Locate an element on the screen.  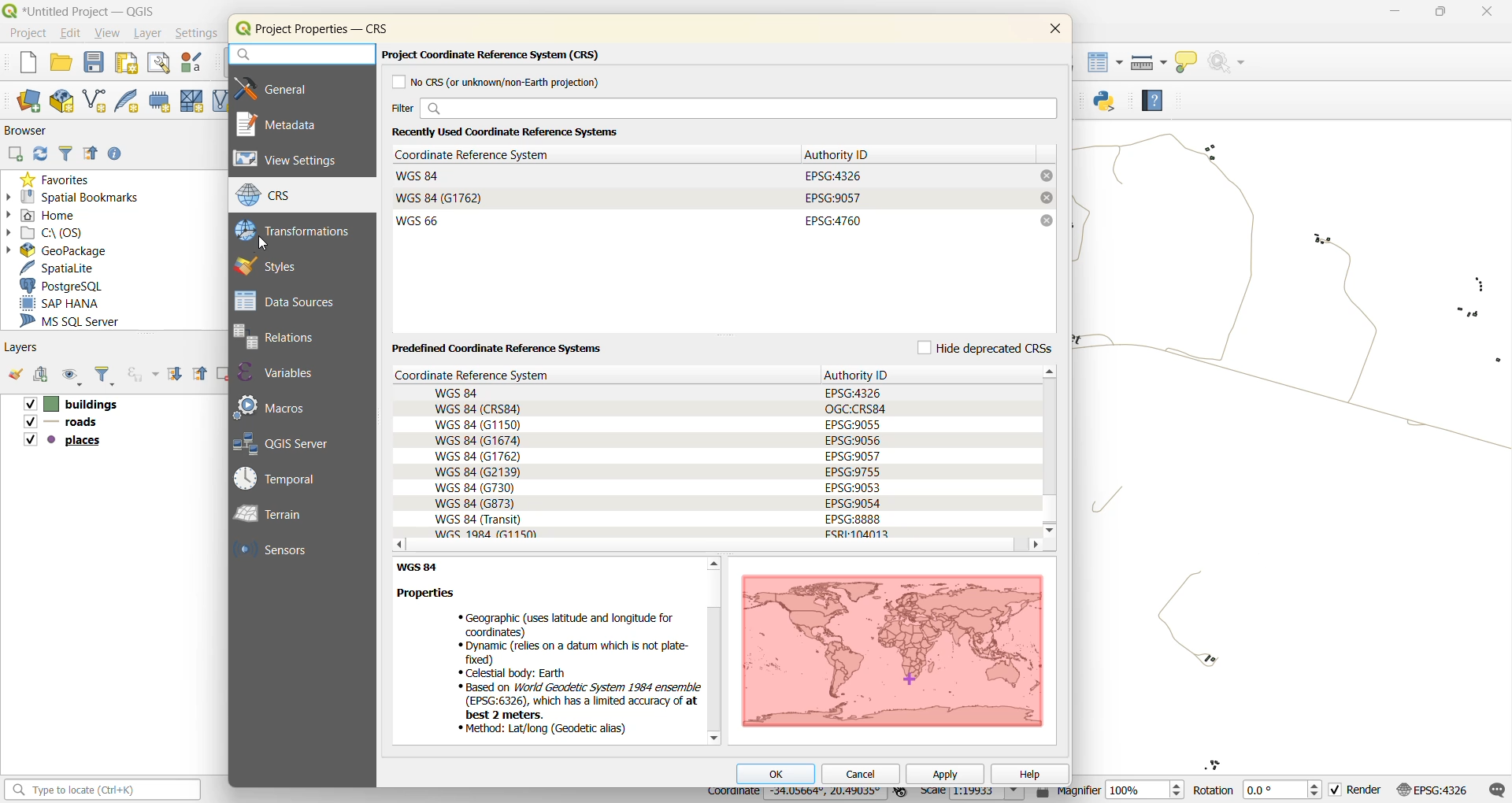
add is located at coordinates (39, 373).